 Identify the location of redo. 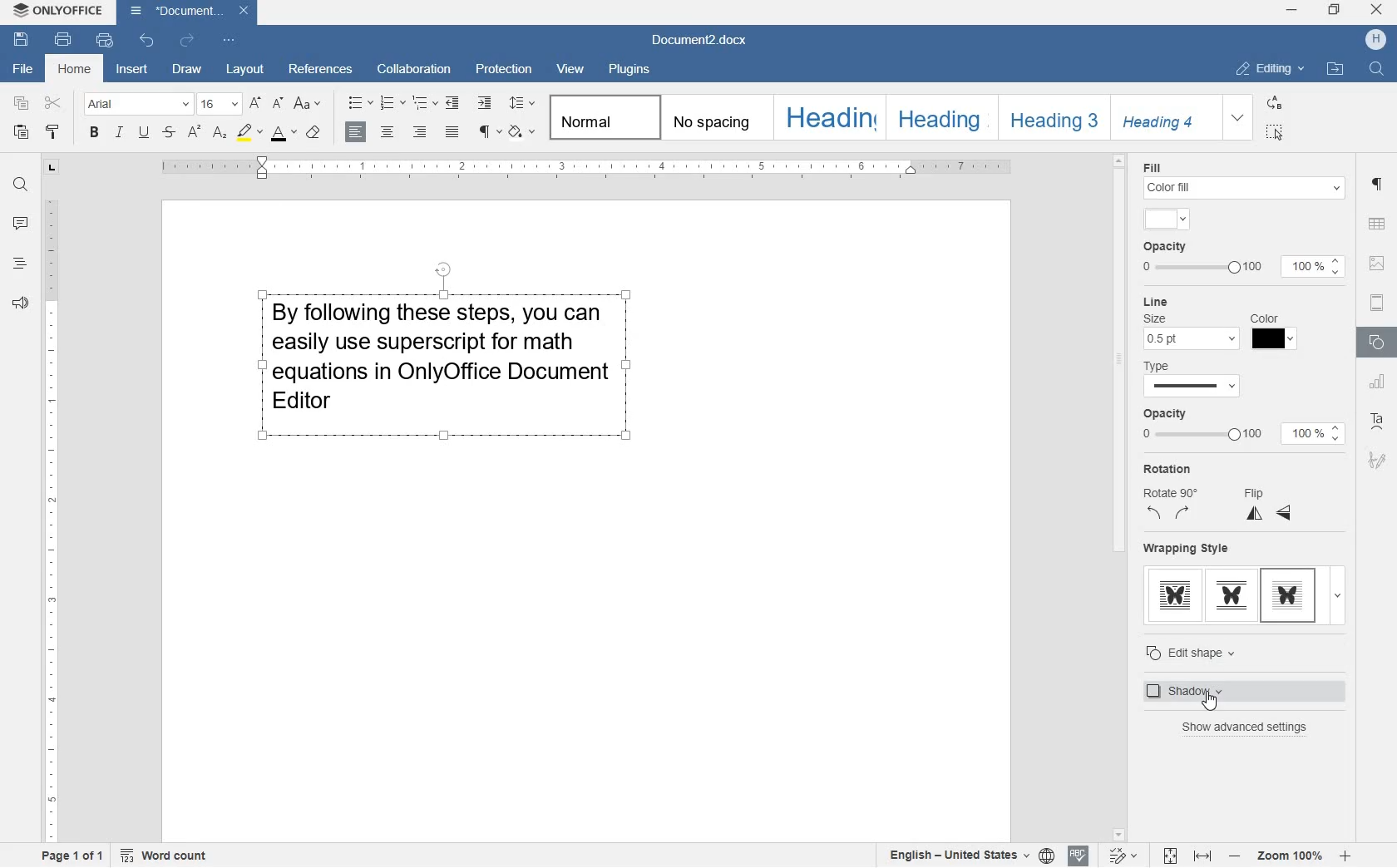
(187, 42).